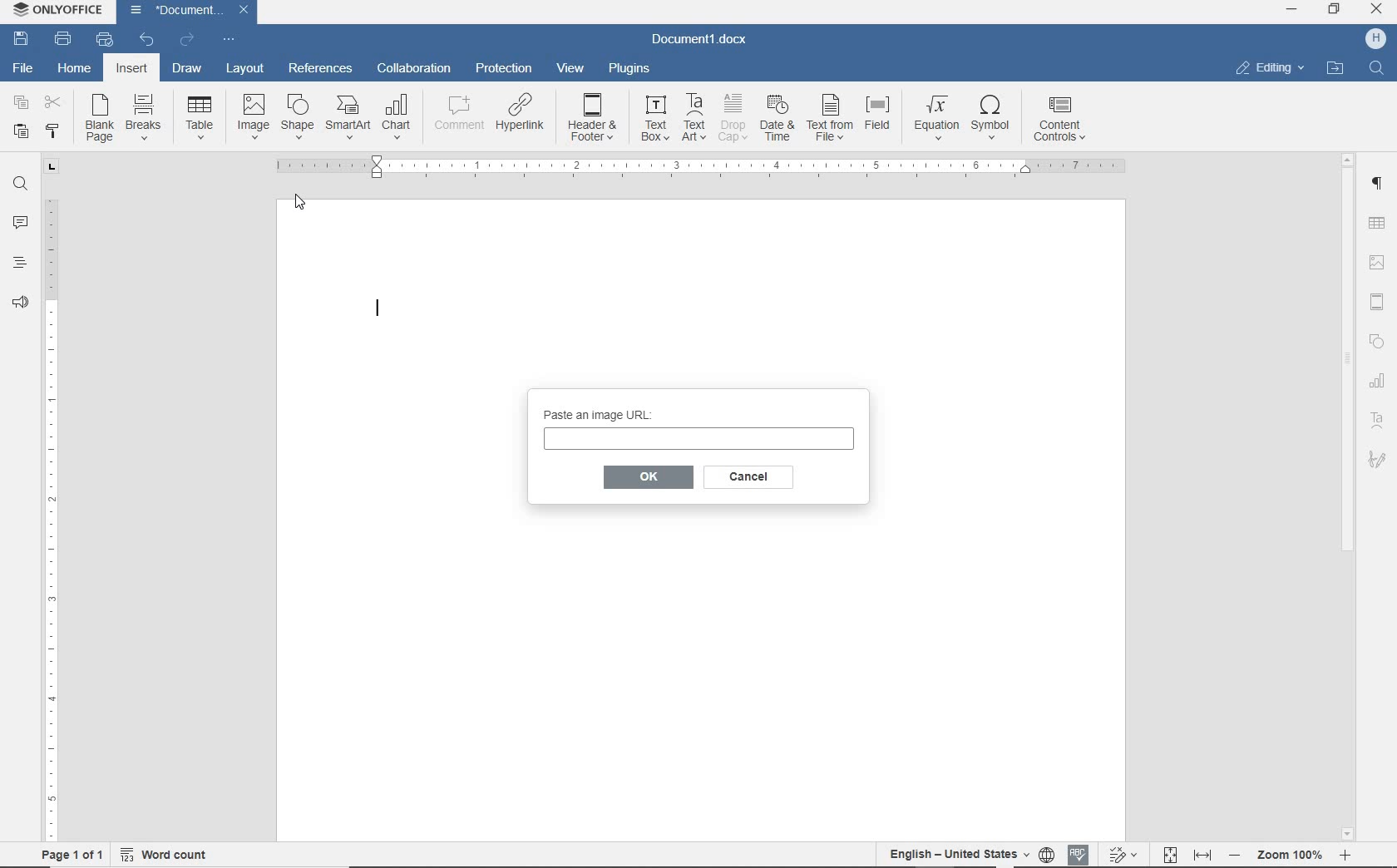  What do you see at coordinates (146, 40) in the screenshot?
I see `undo` at bounding box center [146, 40].